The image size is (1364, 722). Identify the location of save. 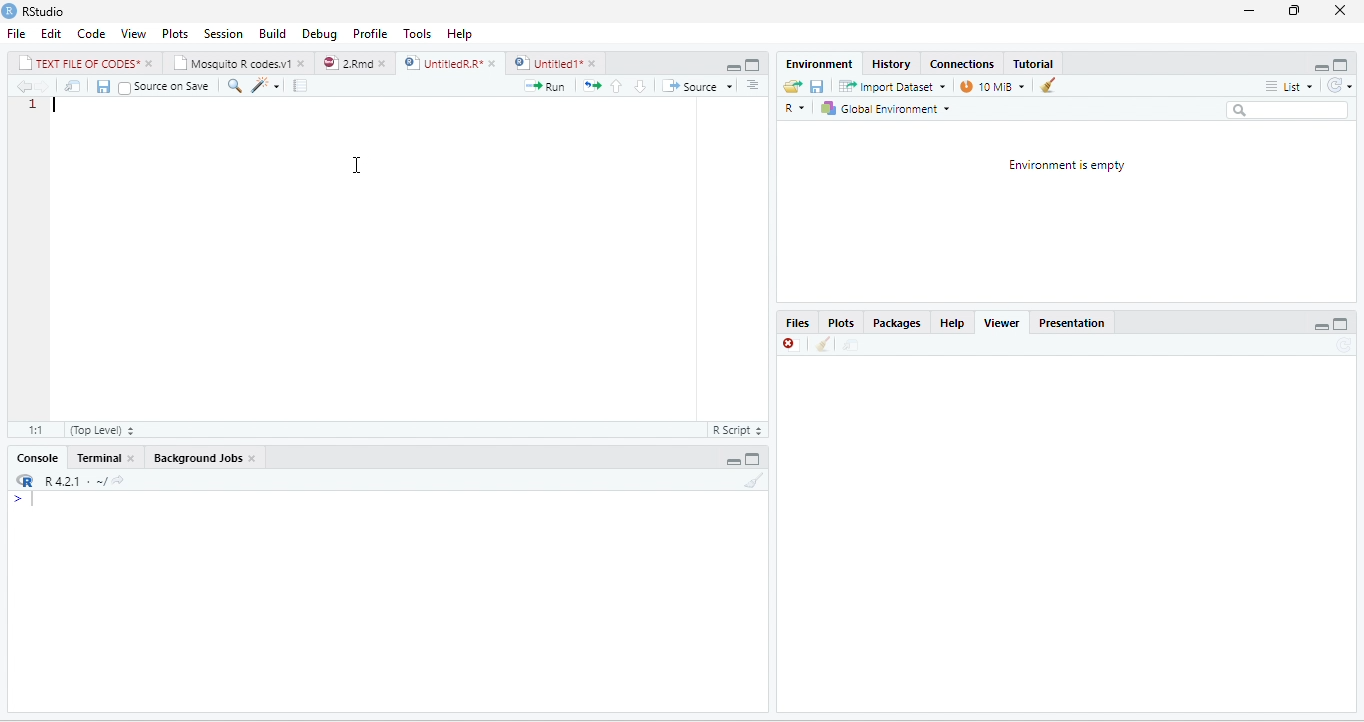
(101, 85).